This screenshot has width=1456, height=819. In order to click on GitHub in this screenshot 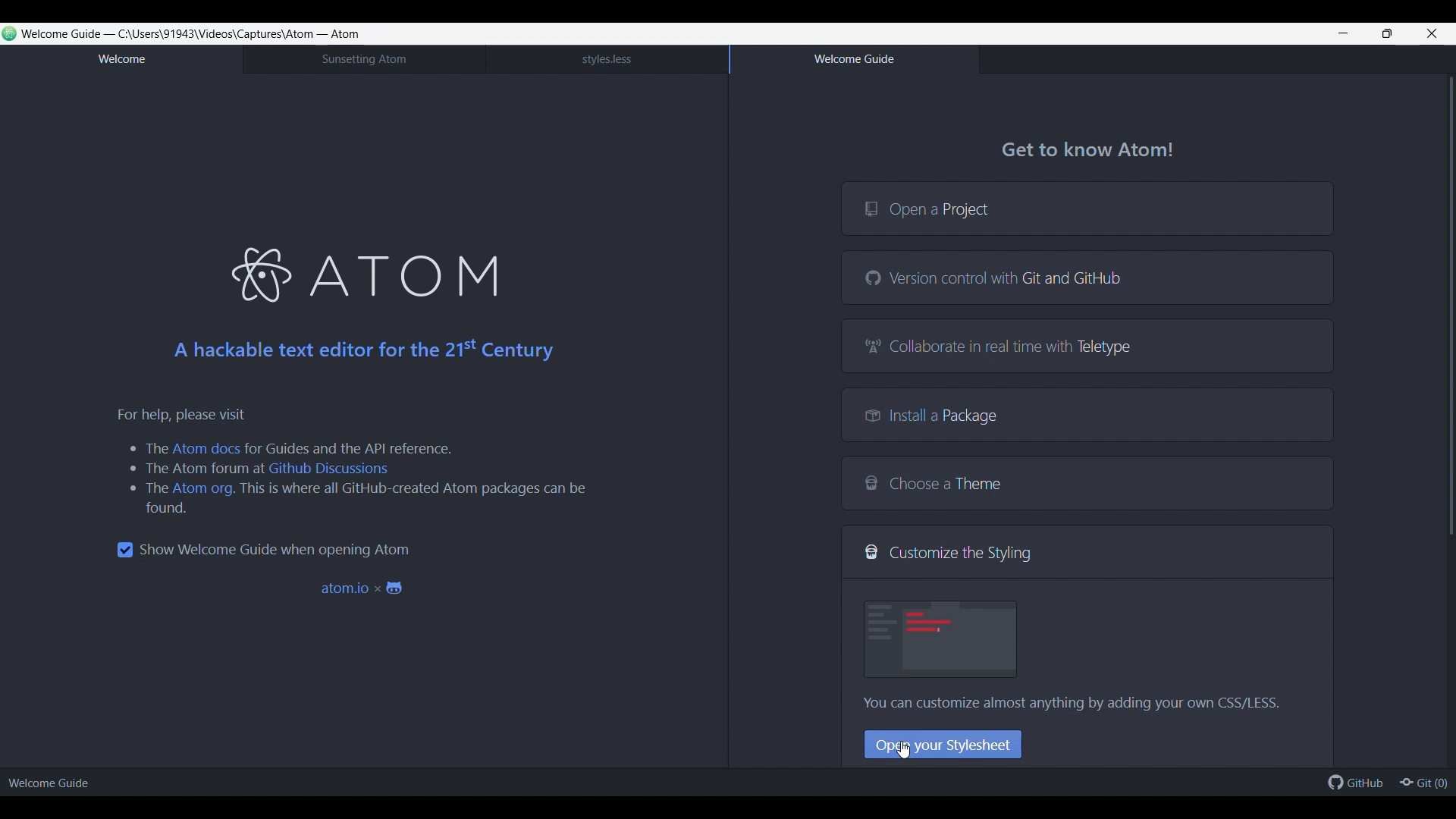, I will do `click(1355, 781)`.